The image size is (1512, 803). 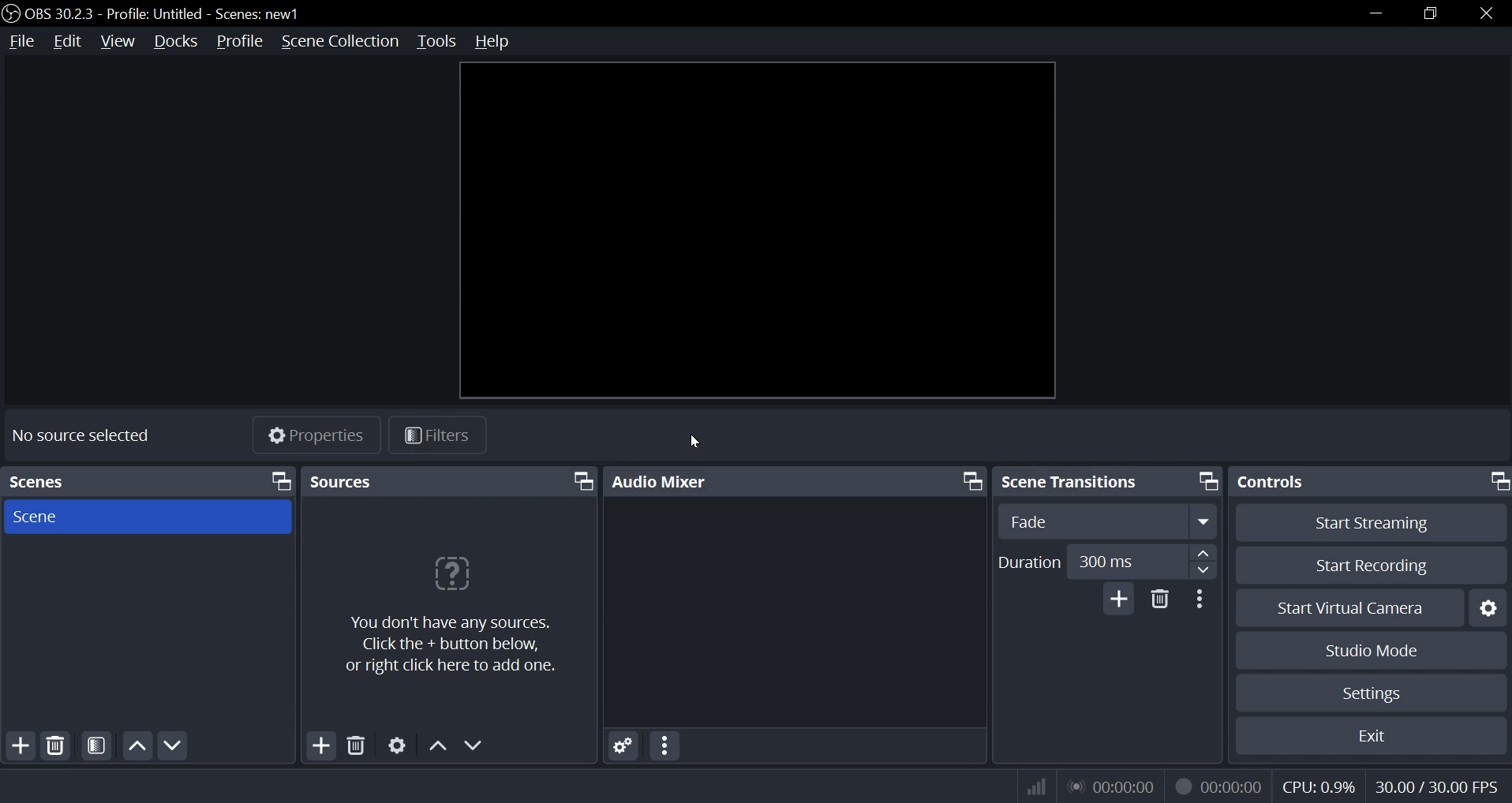 What do you see at coordinates (1218, 785) in the screenshot?
I see `record streamed` at bounding box center [1218, 785].